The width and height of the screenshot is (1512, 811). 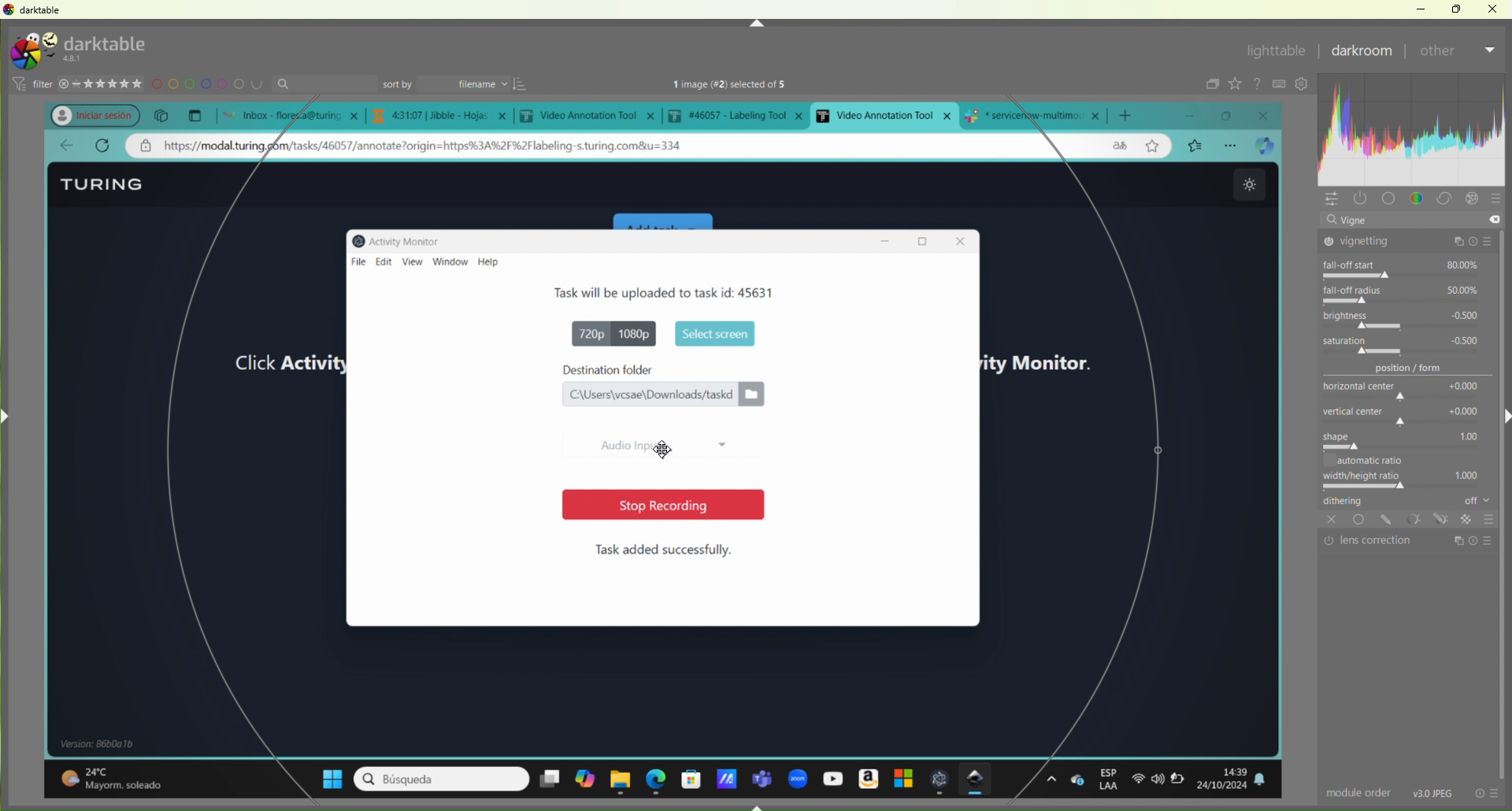 I want to click on application, so click(x=725, y=775).